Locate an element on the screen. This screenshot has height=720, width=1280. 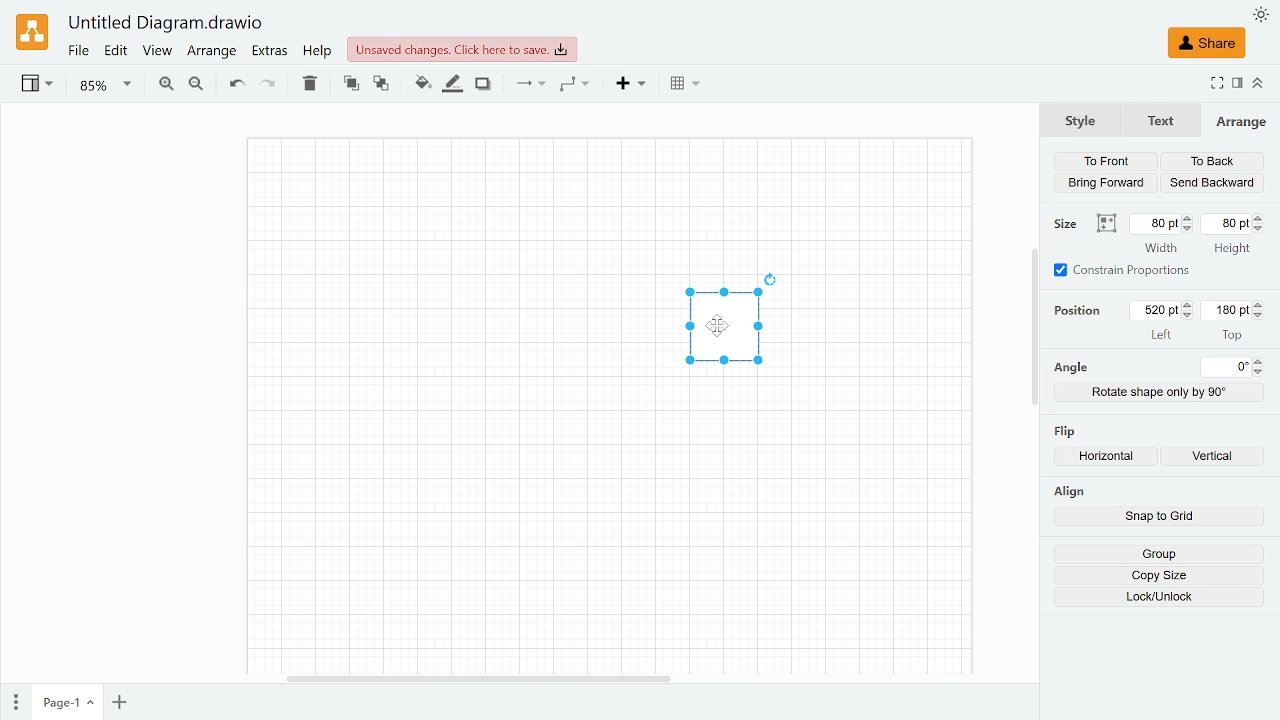
Vertical Scroll Bar is located at coordinates (1031, 325).